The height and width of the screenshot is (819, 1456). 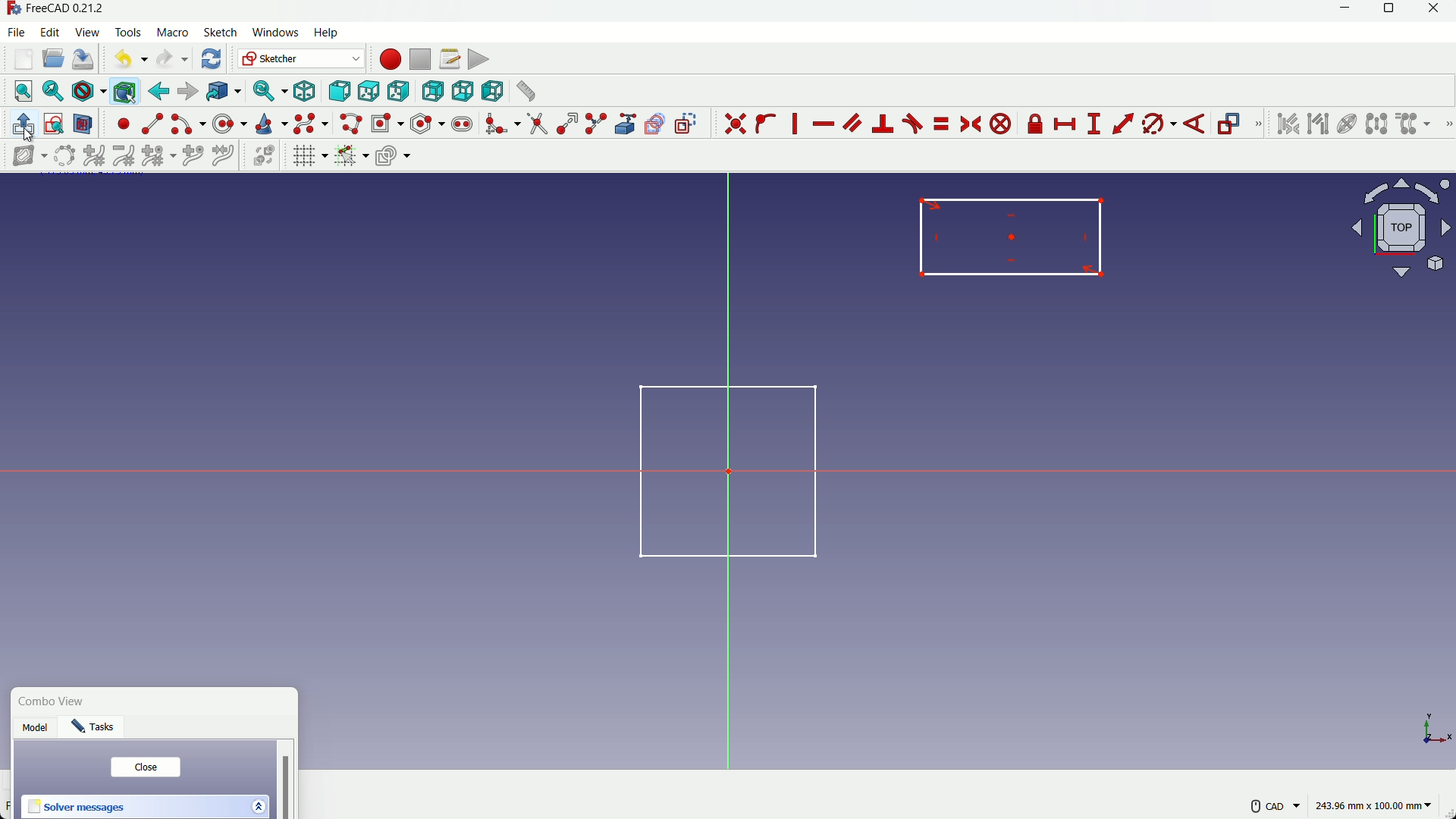 What do you see at coordinates (654, 124) in the screenshot?
I see `create carbon copy` at bounding box center [654, 124].